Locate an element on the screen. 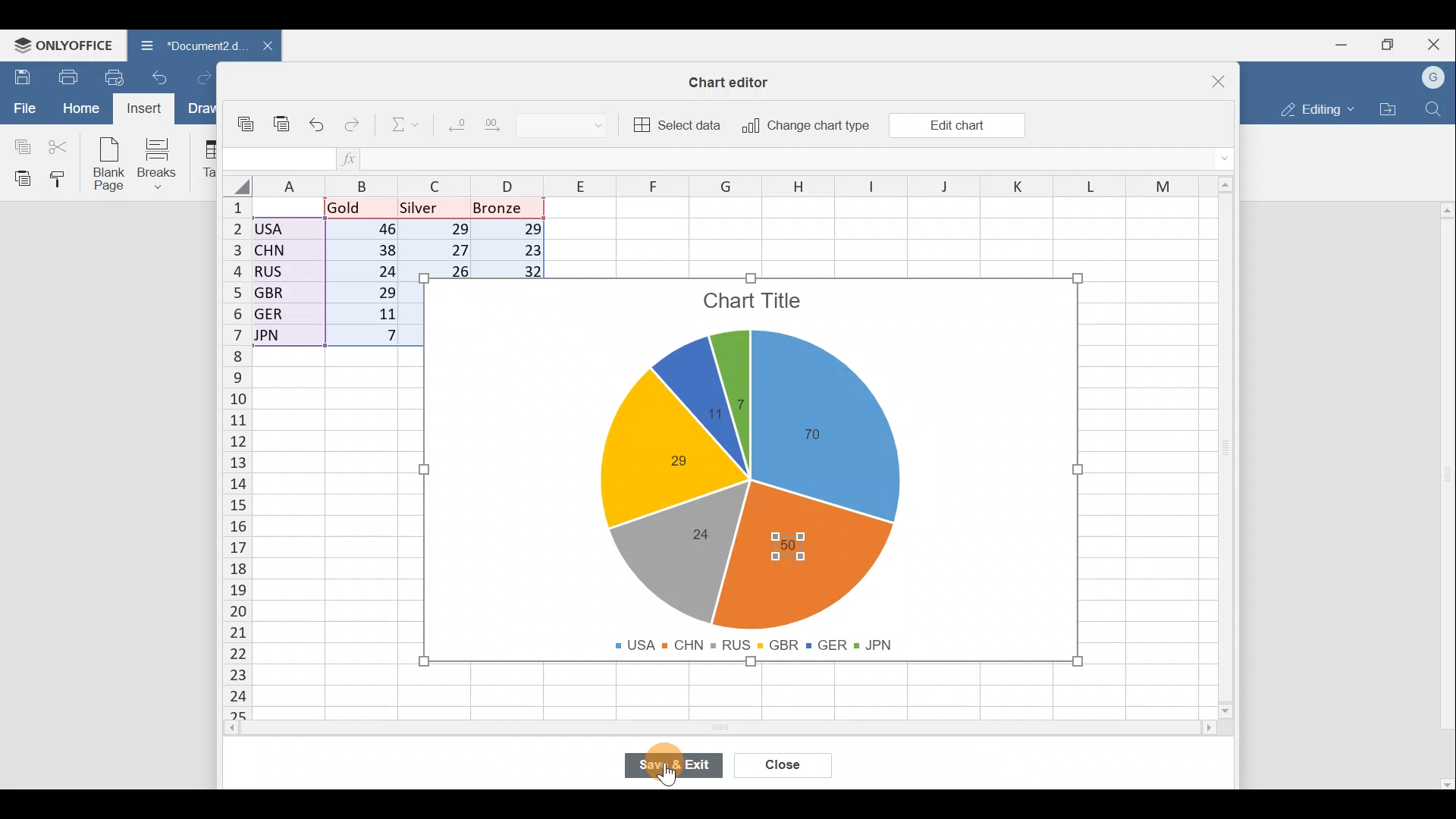 Image resolution: width=1456 pixels, height=819 pixels. Scroll bar is located at coordinates (742, 729).